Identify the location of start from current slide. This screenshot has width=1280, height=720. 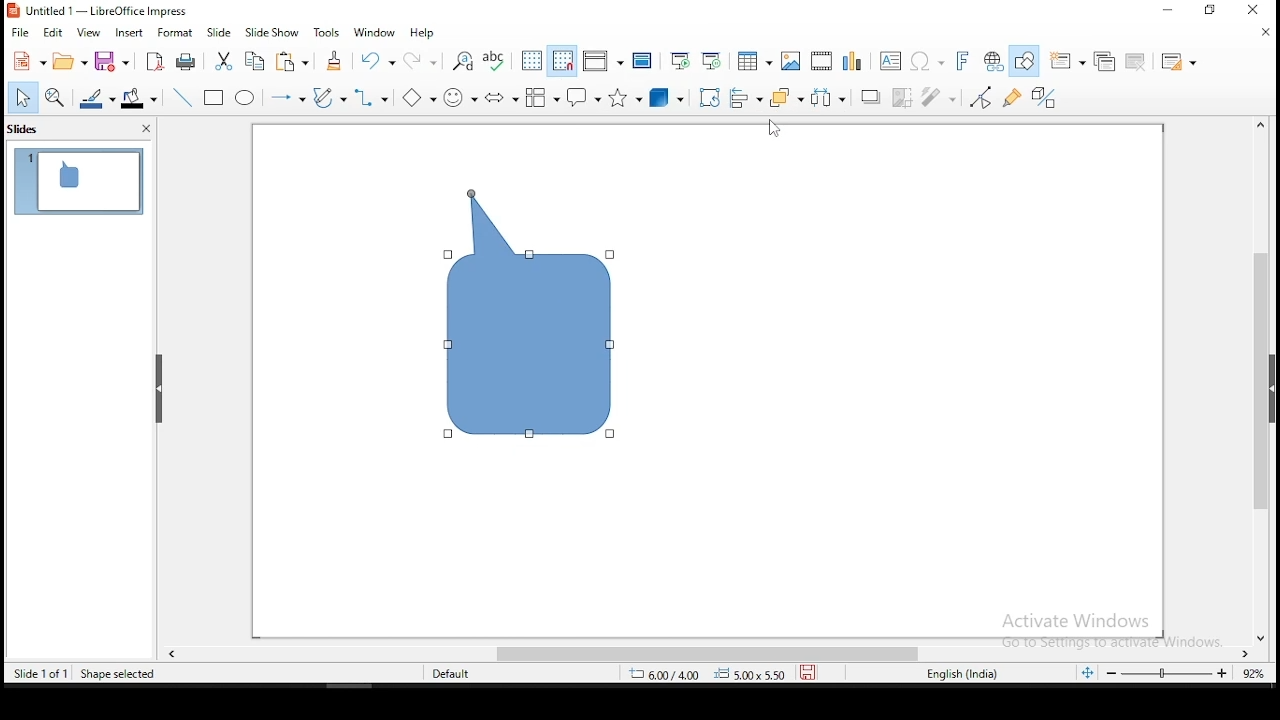
(711, 61).